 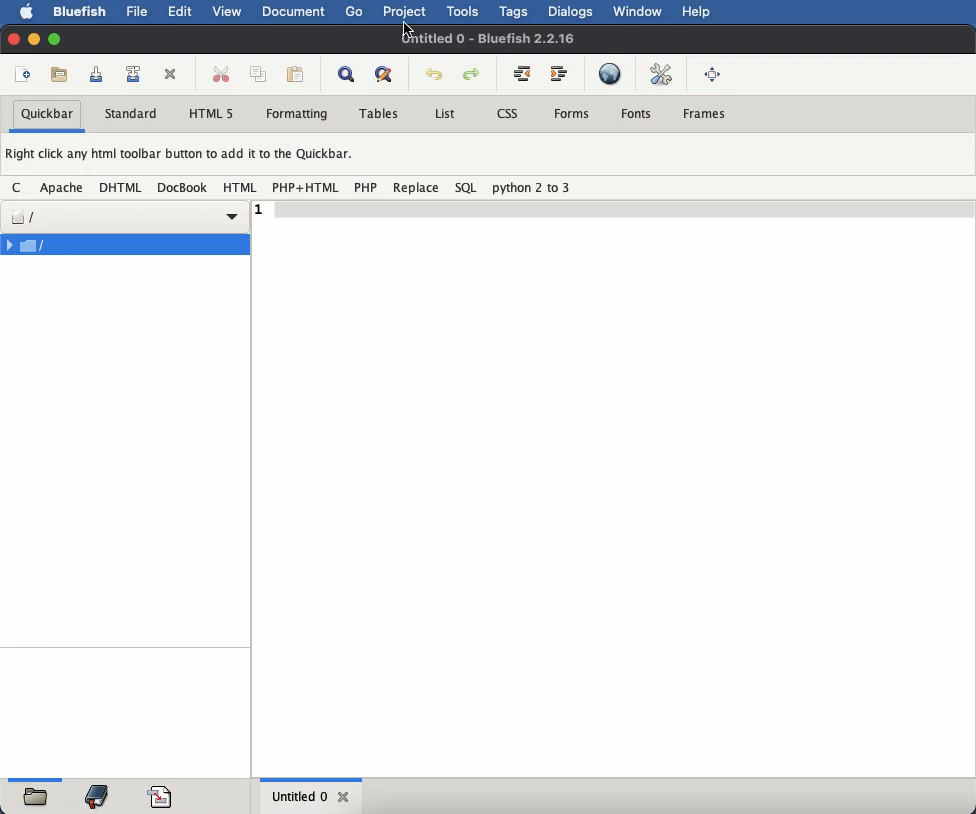 I want to click on docbook, so click(x=183, y=190).